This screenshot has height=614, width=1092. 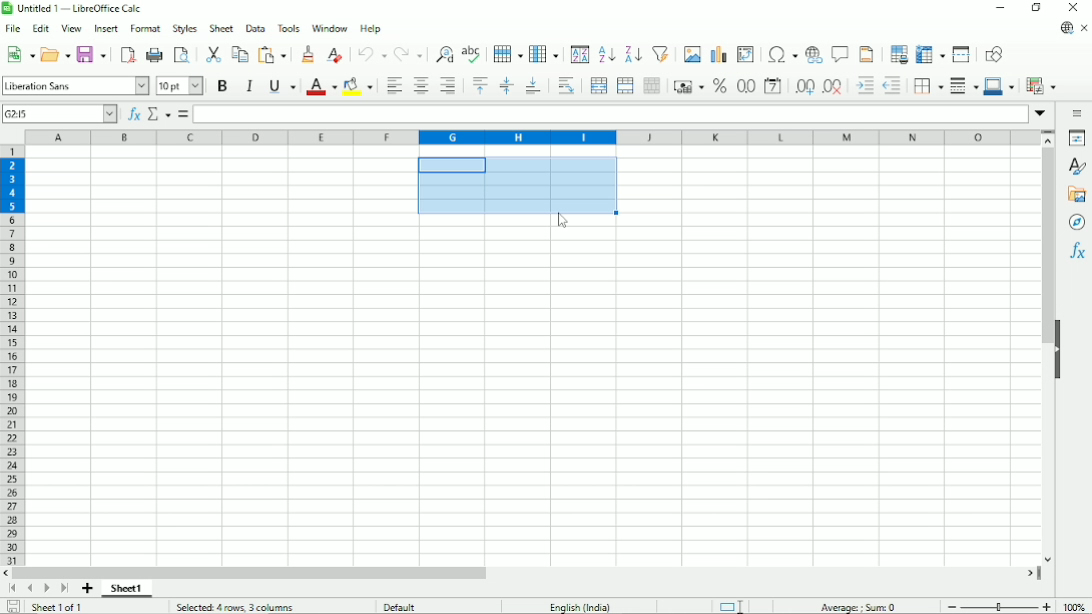 I want to click on Functions, so click(x=1076, y=254).